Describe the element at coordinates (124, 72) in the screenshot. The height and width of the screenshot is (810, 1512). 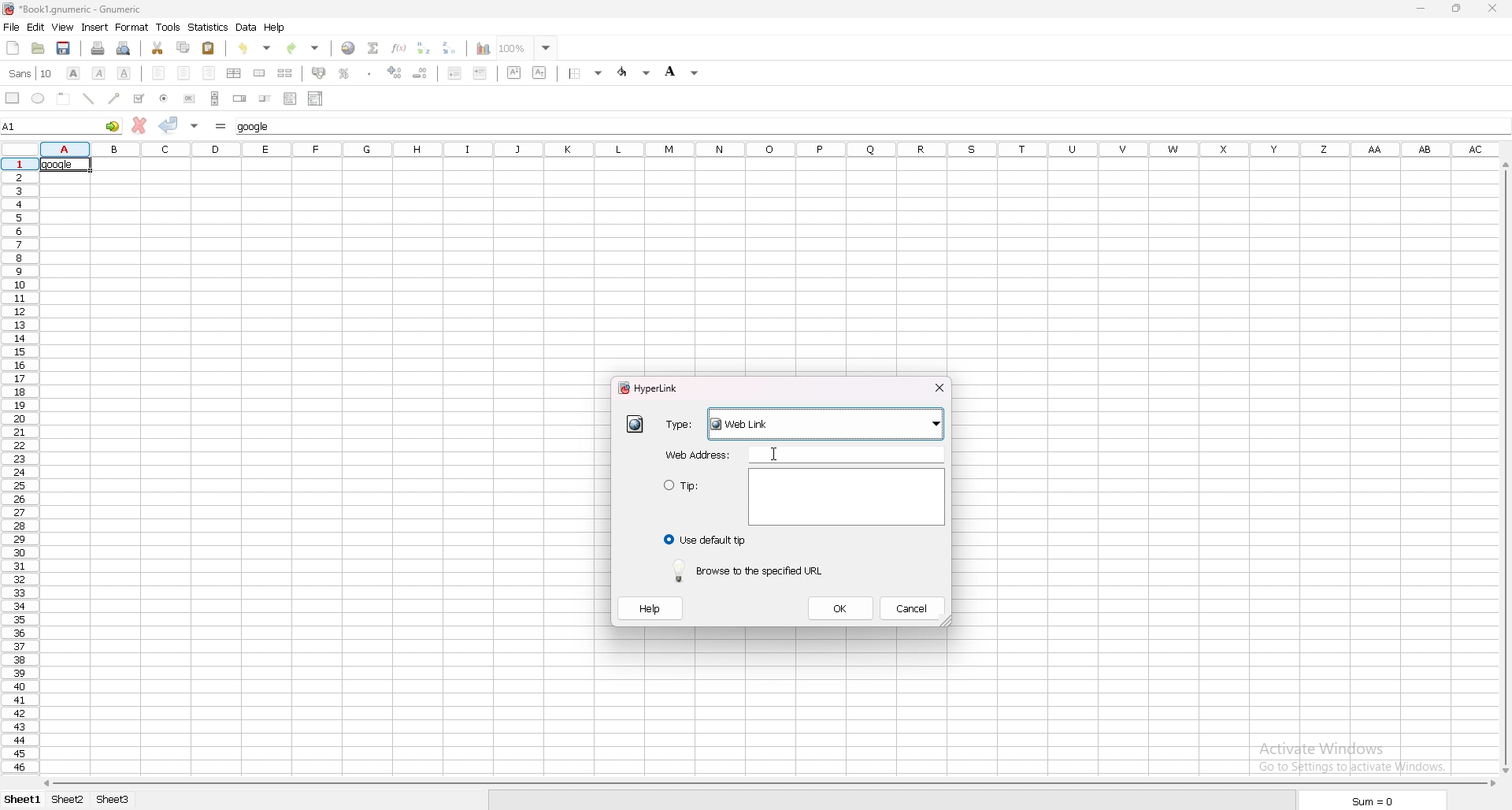
I see `underline` at that location.